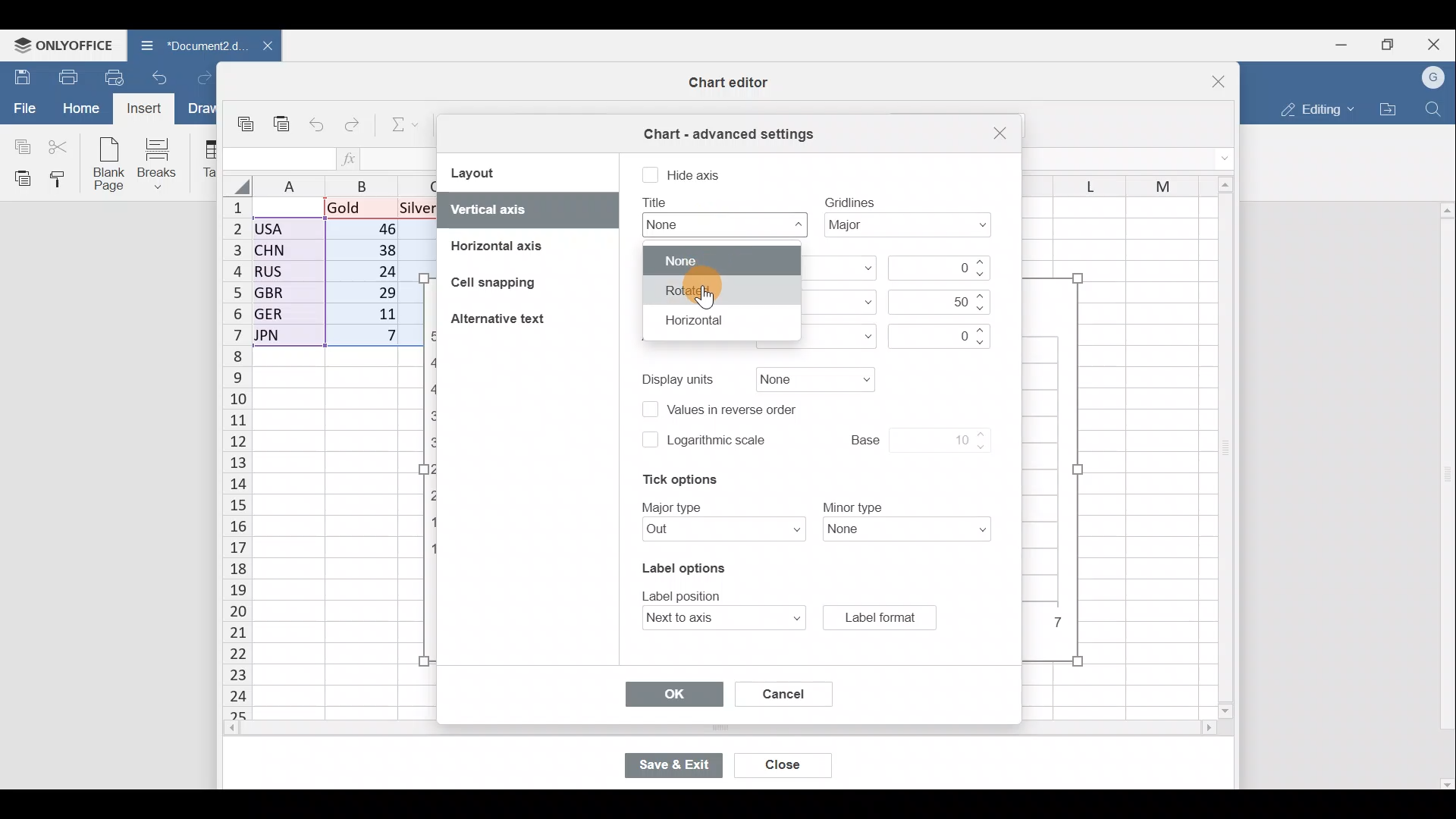 This screenshot has height=819, width=1456. I want to click on Vertical axis, so click(525, 209).